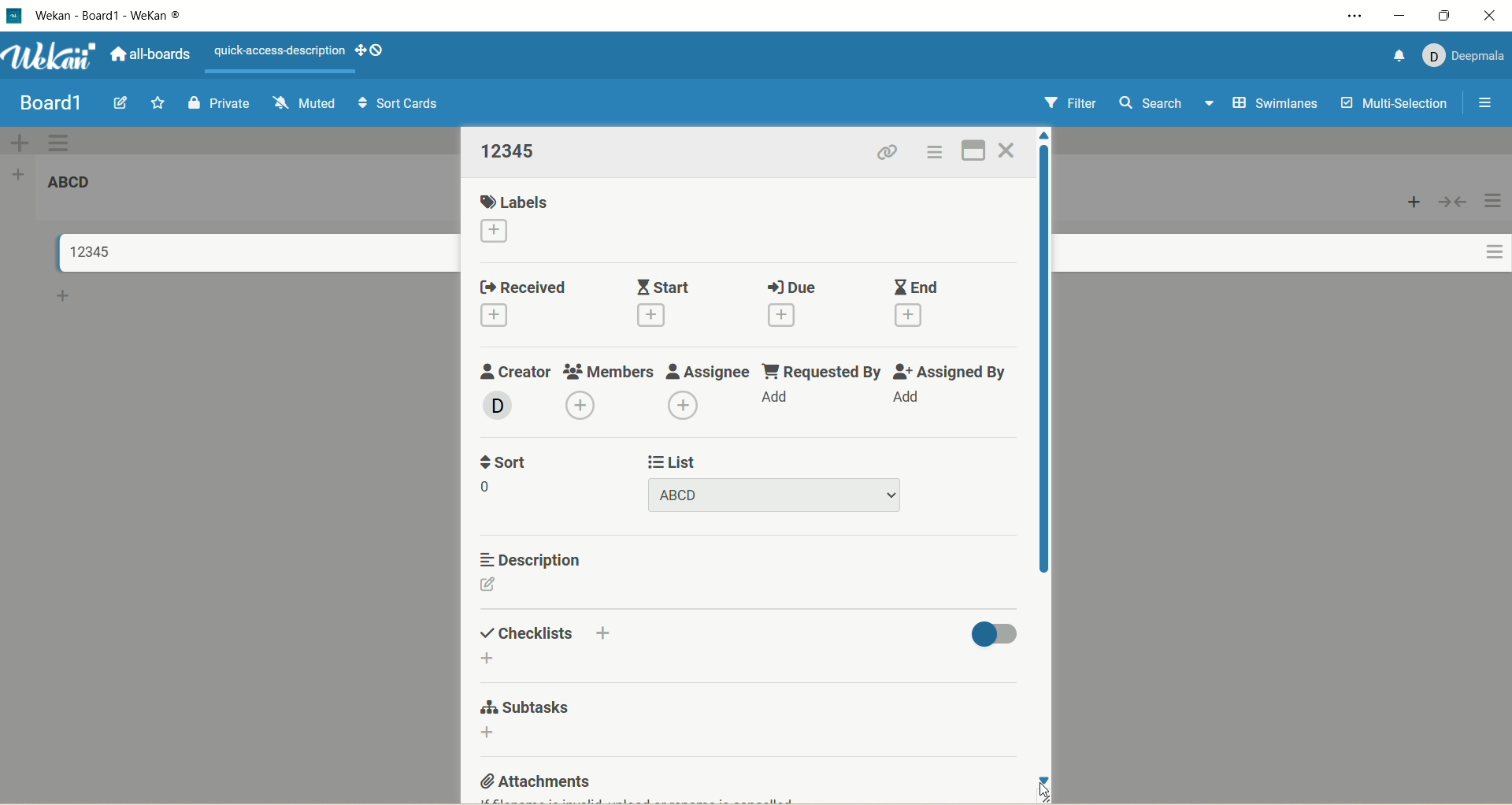 The width and height of the screenshot is (1512, 805). What do you see at coordinates (791, 286) in the screenshot?
I see `due` at bounding box center [791, 286].